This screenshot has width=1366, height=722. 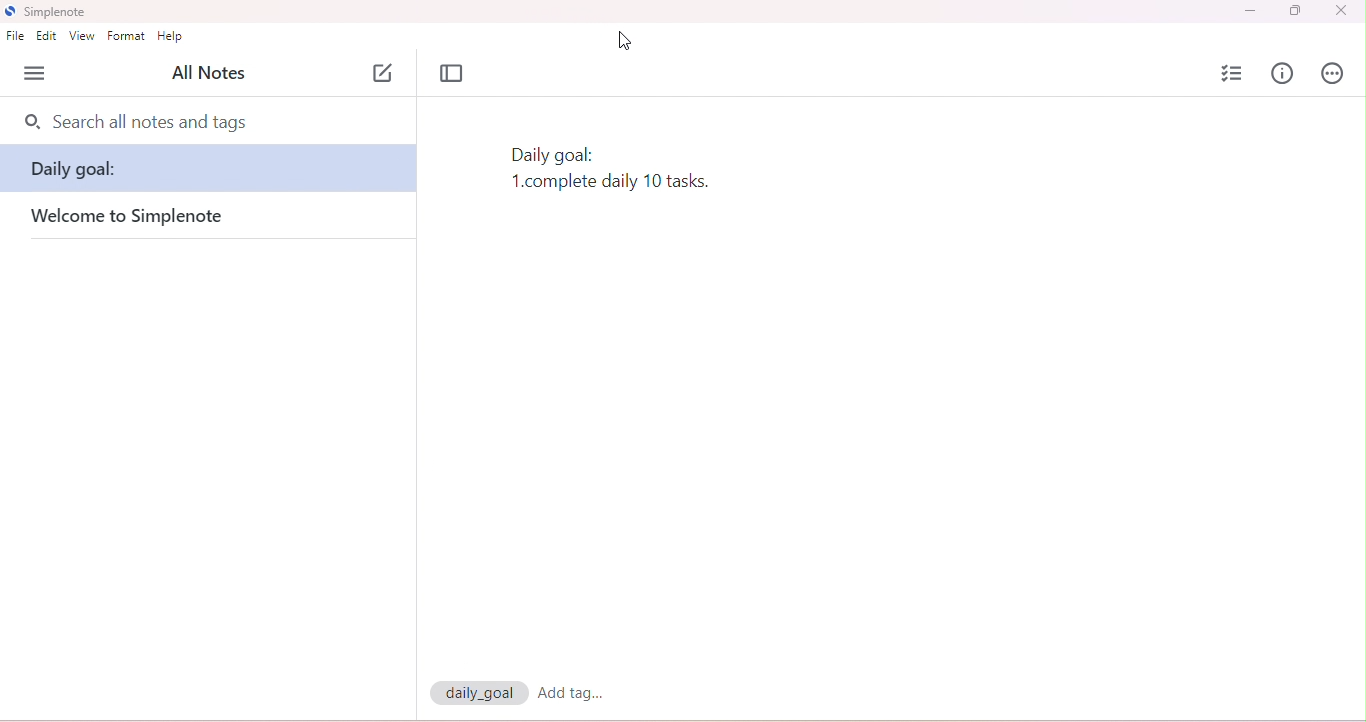 I want to click on help, so click(x=171, y=35).